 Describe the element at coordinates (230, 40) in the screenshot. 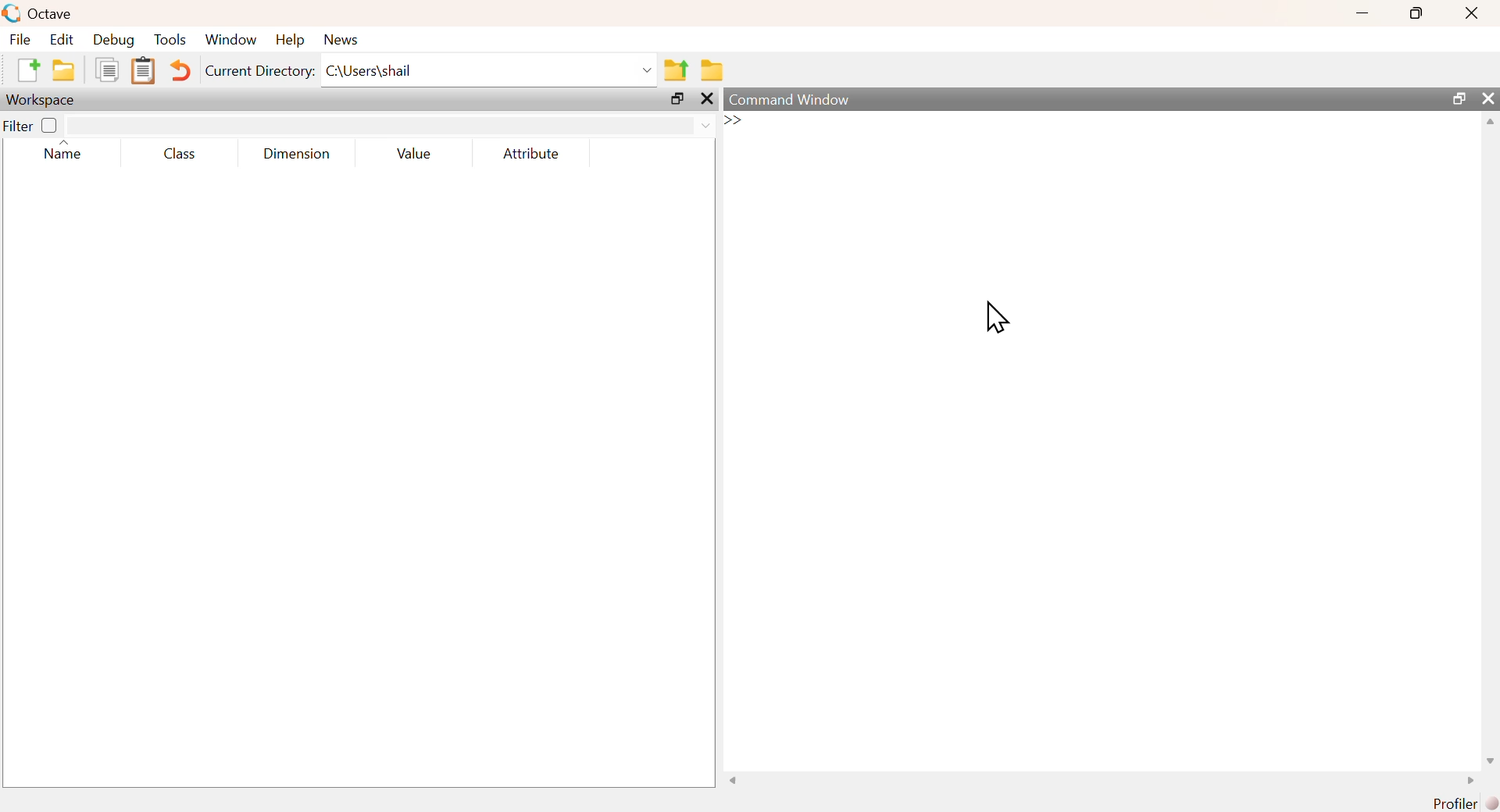

I see `Window` at that location.